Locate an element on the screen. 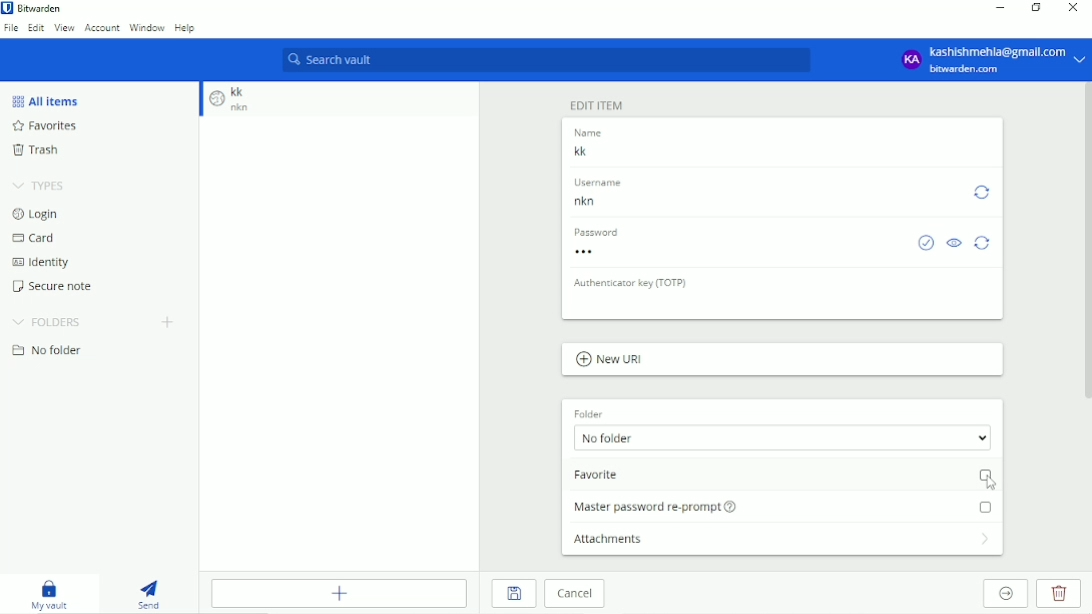 This screenshot has height=614, width=1092. name label is located at coordinates (596, 132).